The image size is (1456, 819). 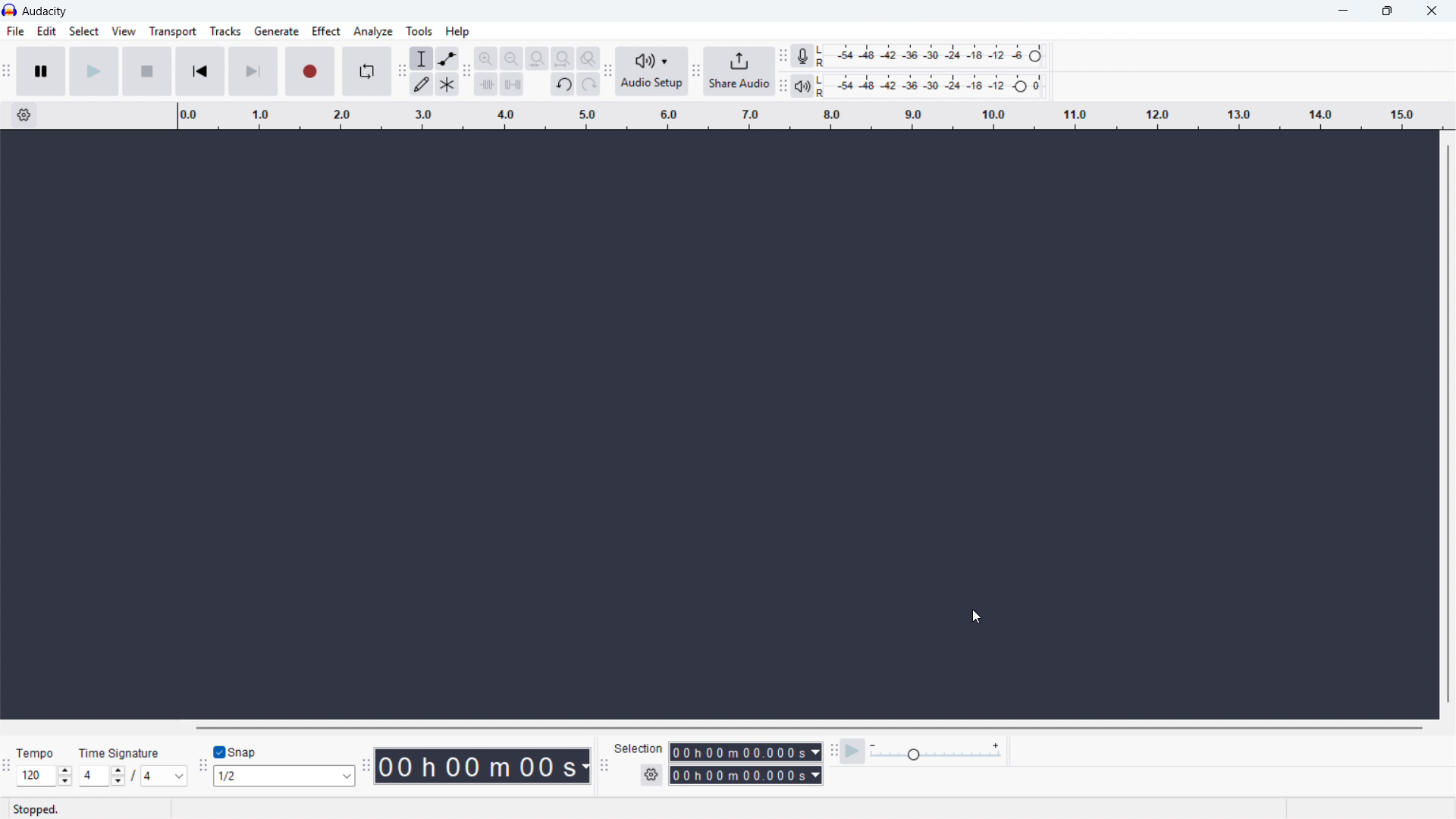 What do you see at coordinates (422, 83) in the screenshot?
I see `draw tool` at bounding box center [422, 83].